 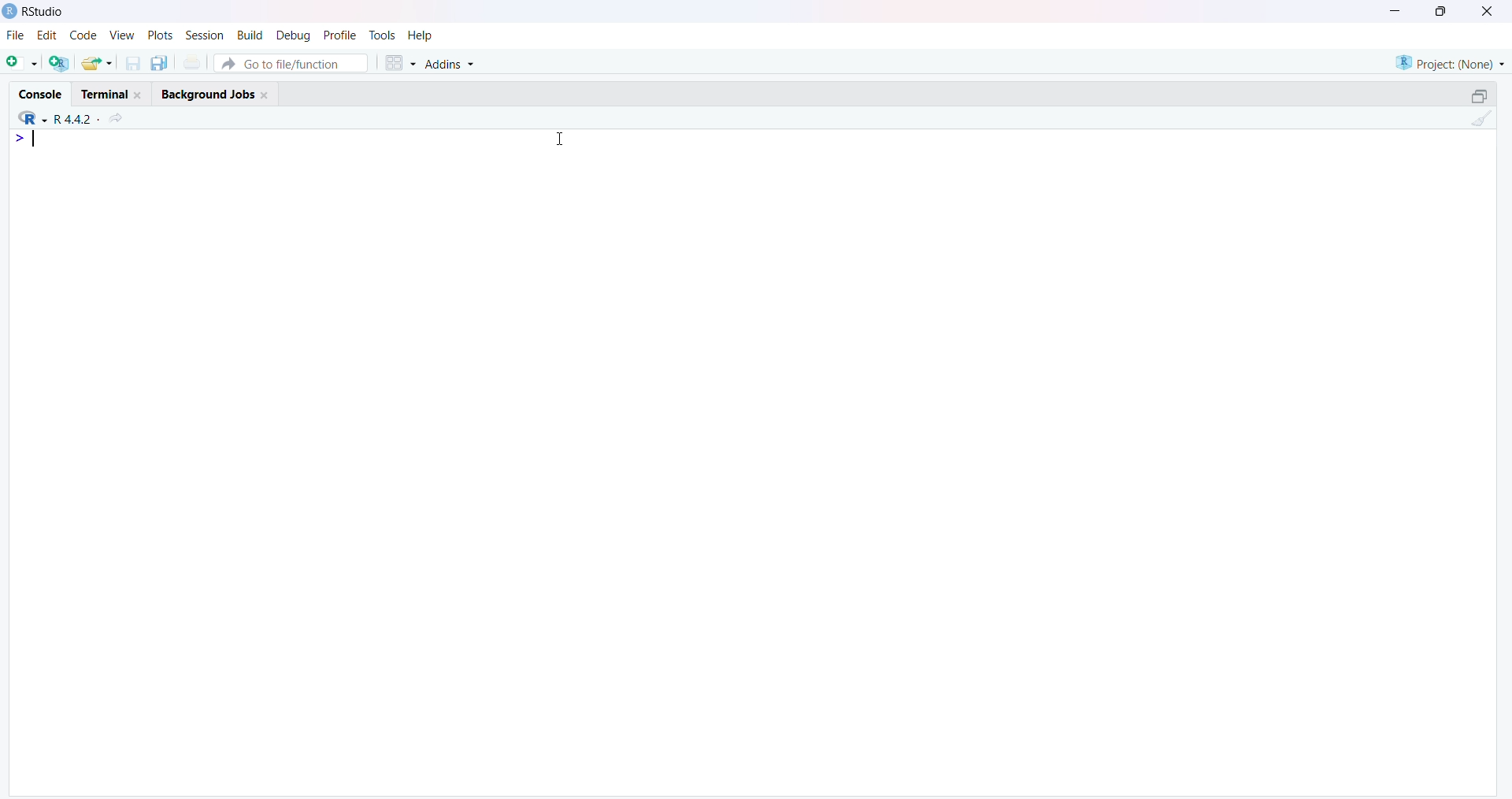 I want to click on Build, so click(x=246, y=36).